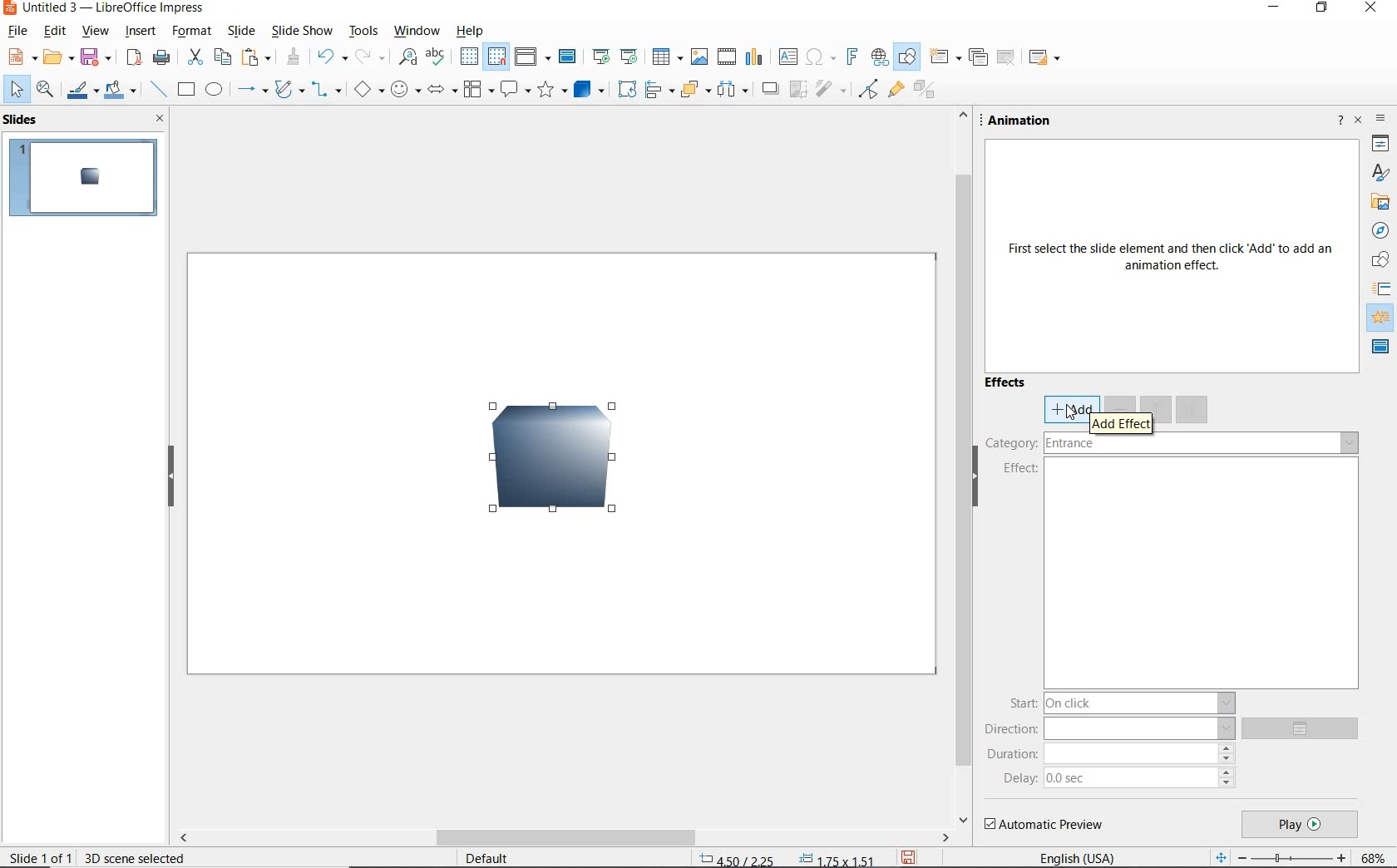 This screenshot has height=868, width=1397. I want to click on slide show, so click(303, 32).